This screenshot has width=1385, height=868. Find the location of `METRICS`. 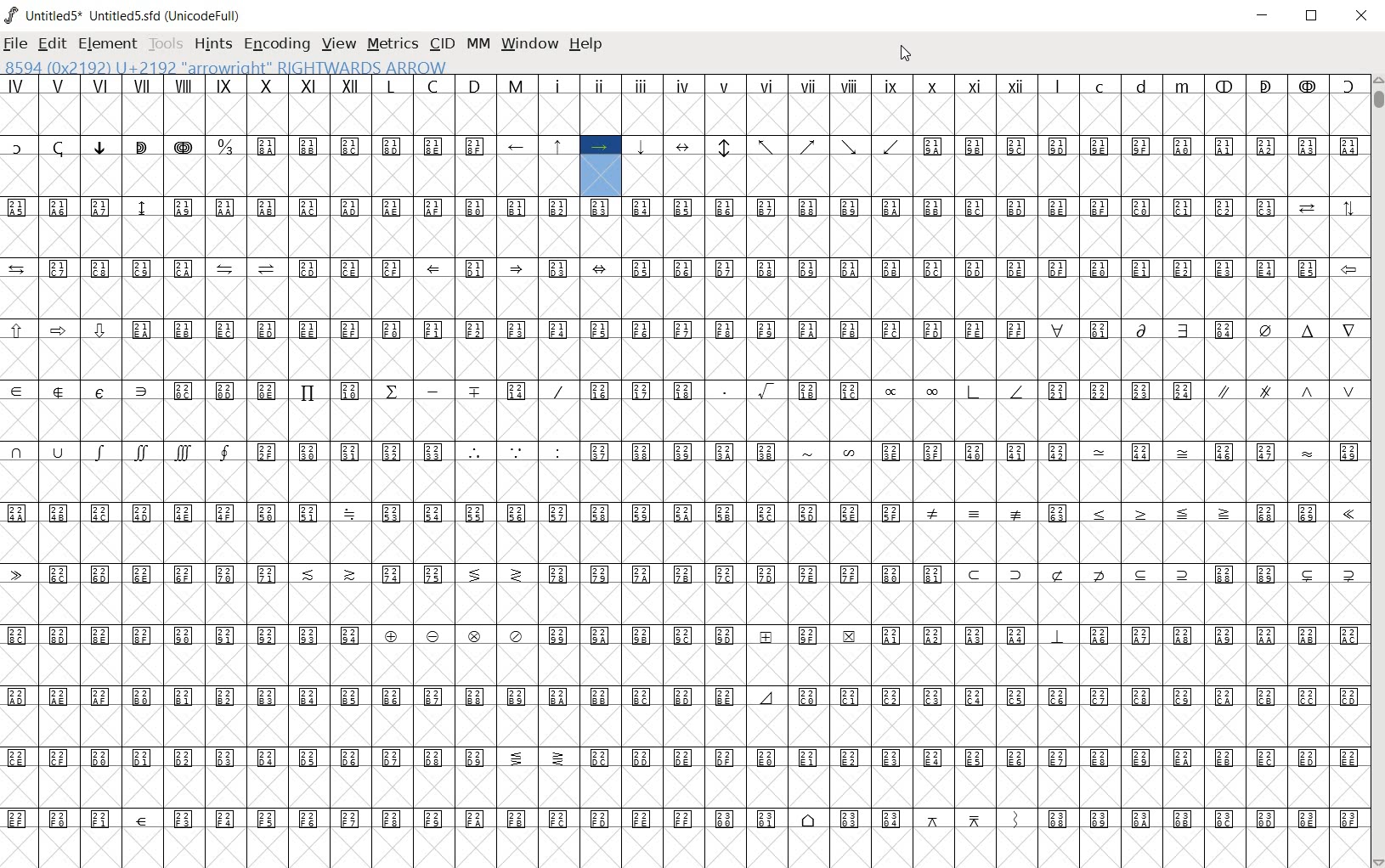

METRICS is located at coordinates (390, 45).